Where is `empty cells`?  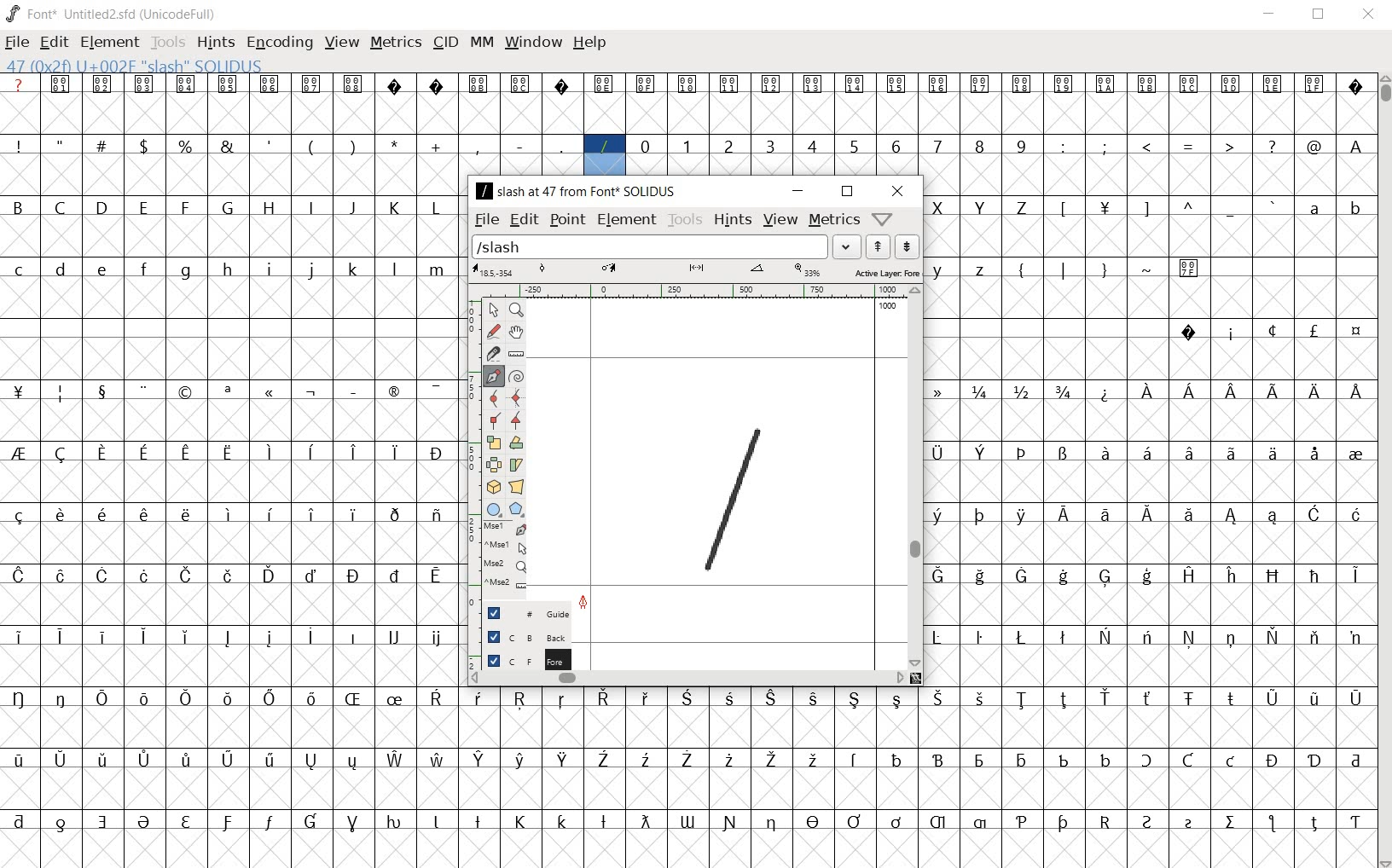 empty cells is located at coordinates (1151, 361).